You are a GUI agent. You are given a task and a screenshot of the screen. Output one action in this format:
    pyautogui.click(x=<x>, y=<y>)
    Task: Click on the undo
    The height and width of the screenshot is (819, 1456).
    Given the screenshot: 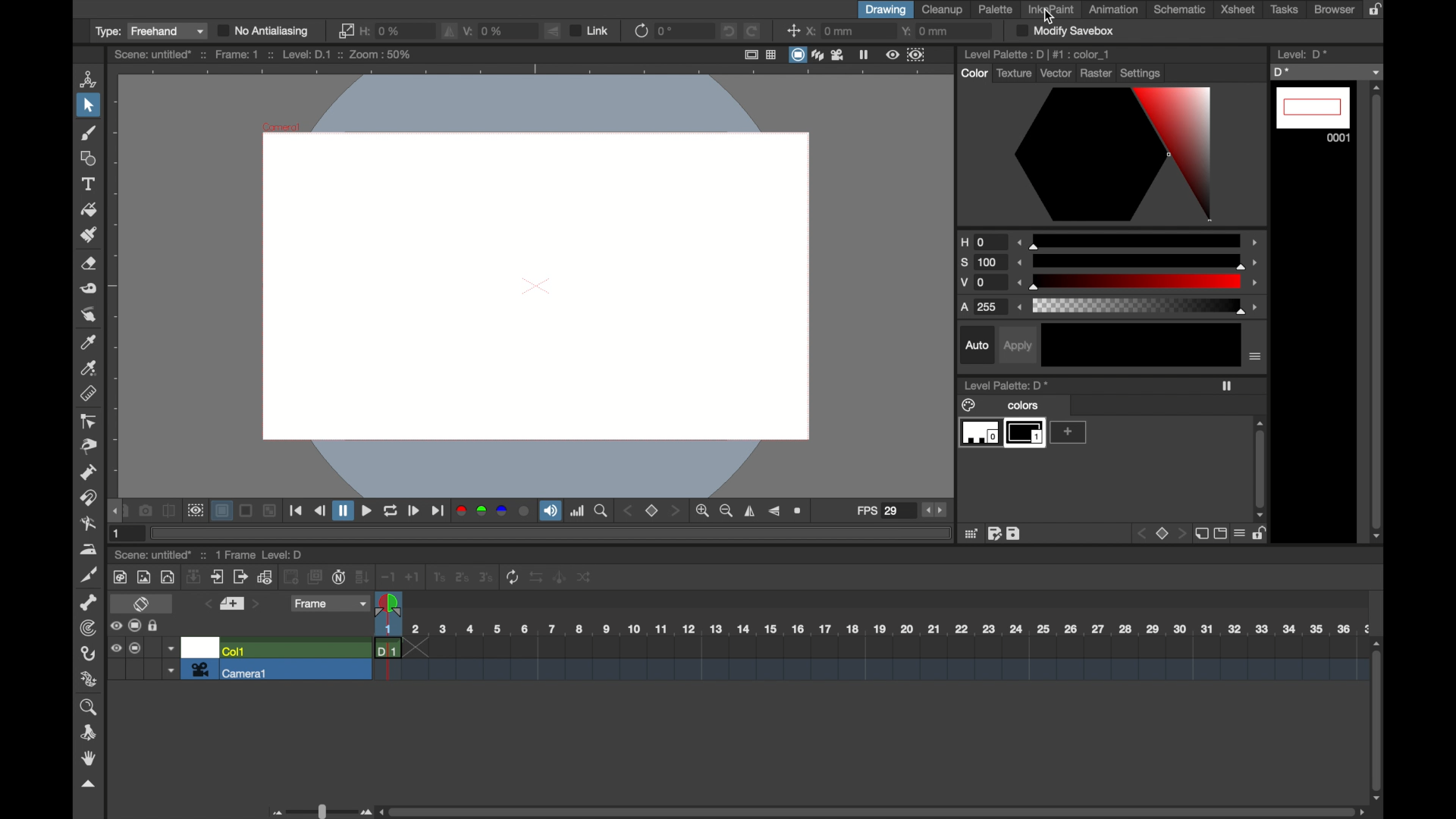 What is the action you would take?
    pyautogui.click(x=728, y=30)
    